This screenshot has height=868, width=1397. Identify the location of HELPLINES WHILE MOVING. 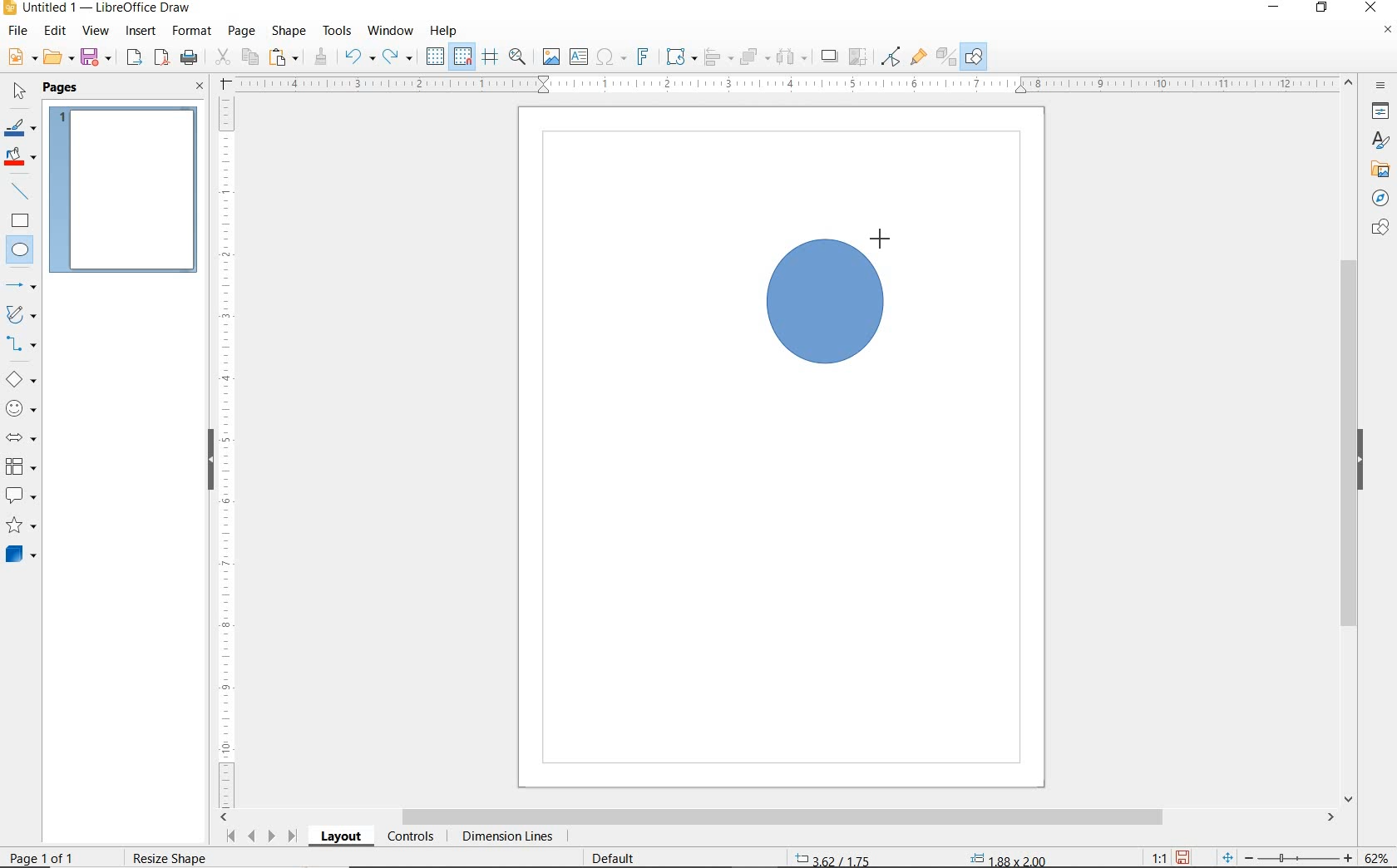
(490, 57).